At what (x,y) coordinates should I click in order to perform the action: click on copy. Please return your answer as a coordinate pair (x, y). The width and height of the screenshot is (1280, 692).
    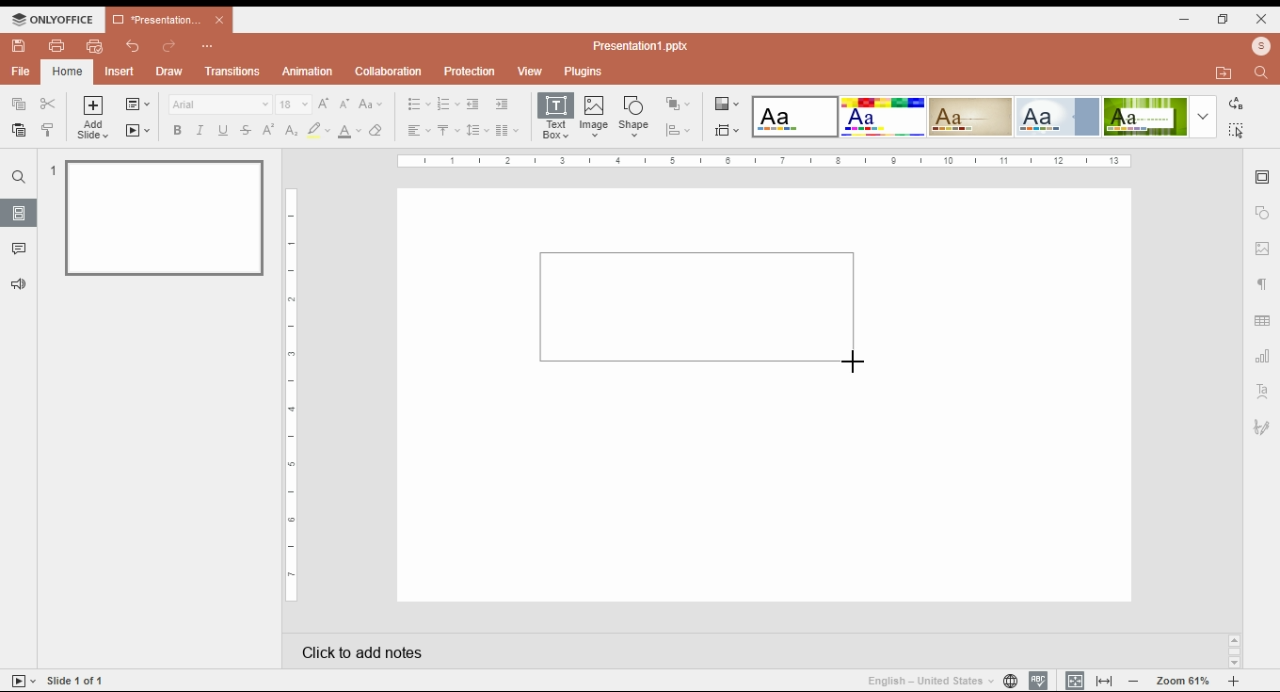
    Looking at the image, I should click on (20, 104).